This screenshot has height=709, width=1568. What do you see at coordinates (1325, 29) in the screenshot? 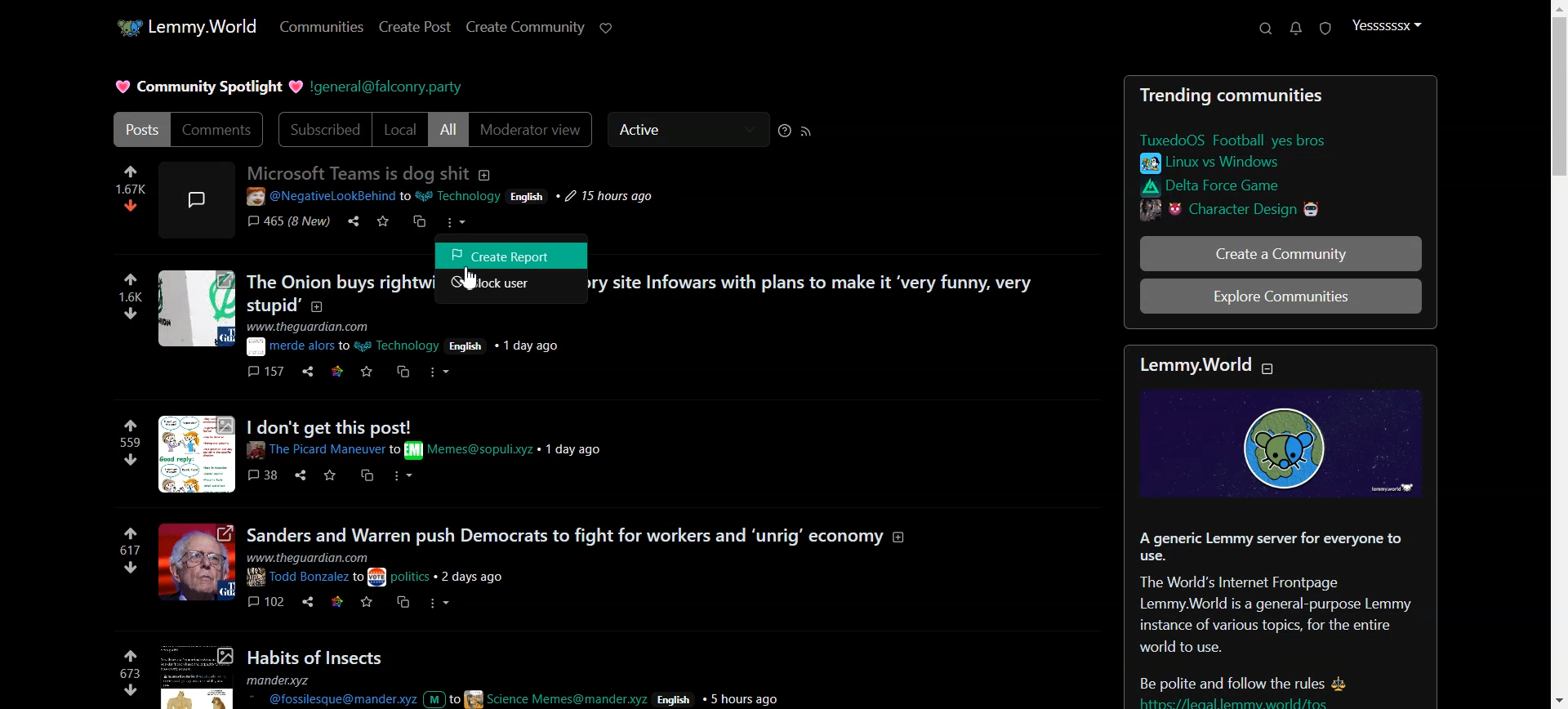
I see `Unread Report` at bounding box center [1325, 29].